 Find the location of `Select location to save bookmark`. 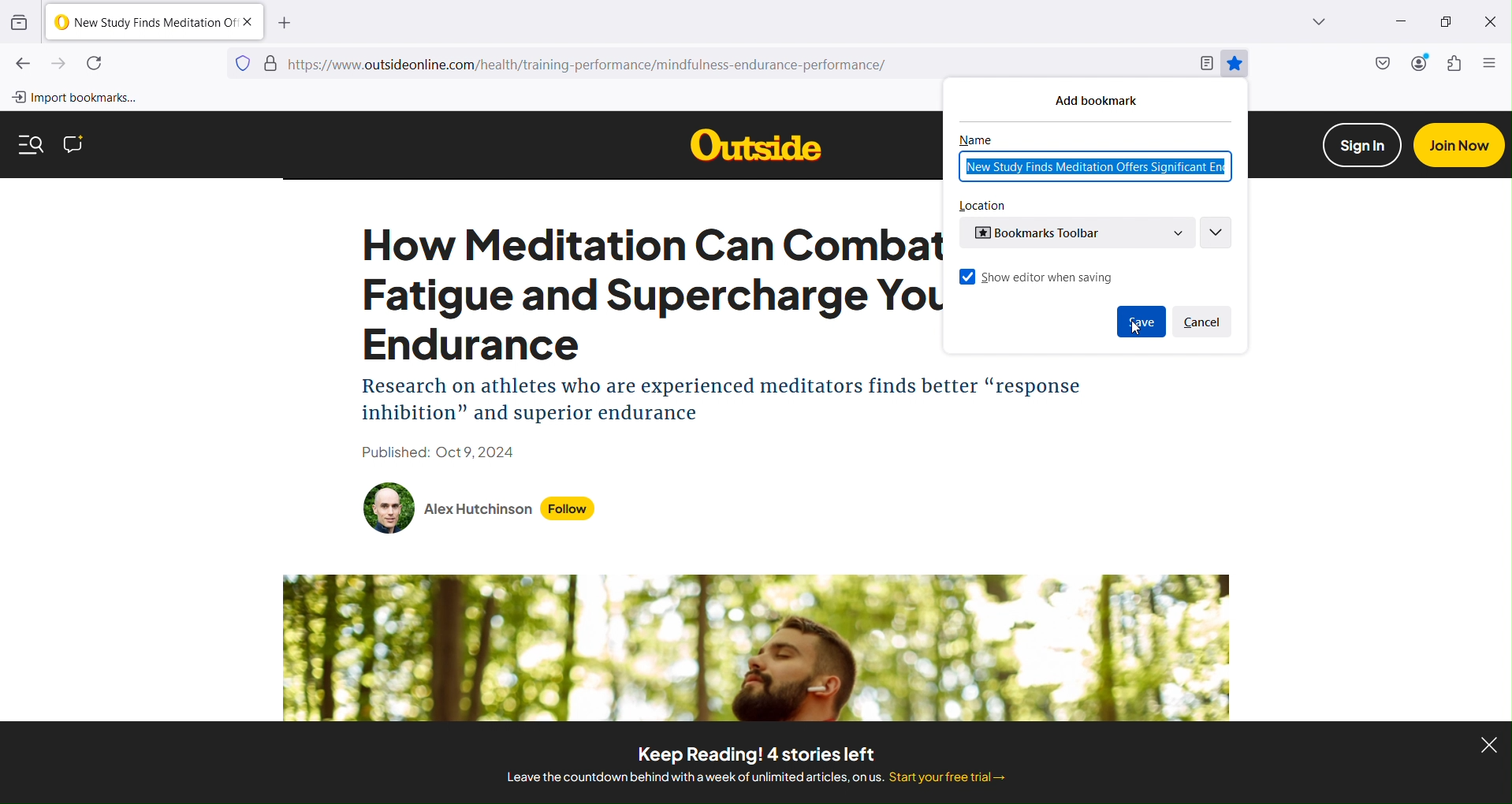

Select location to save bookmark is located at coordinates (1076, 233).